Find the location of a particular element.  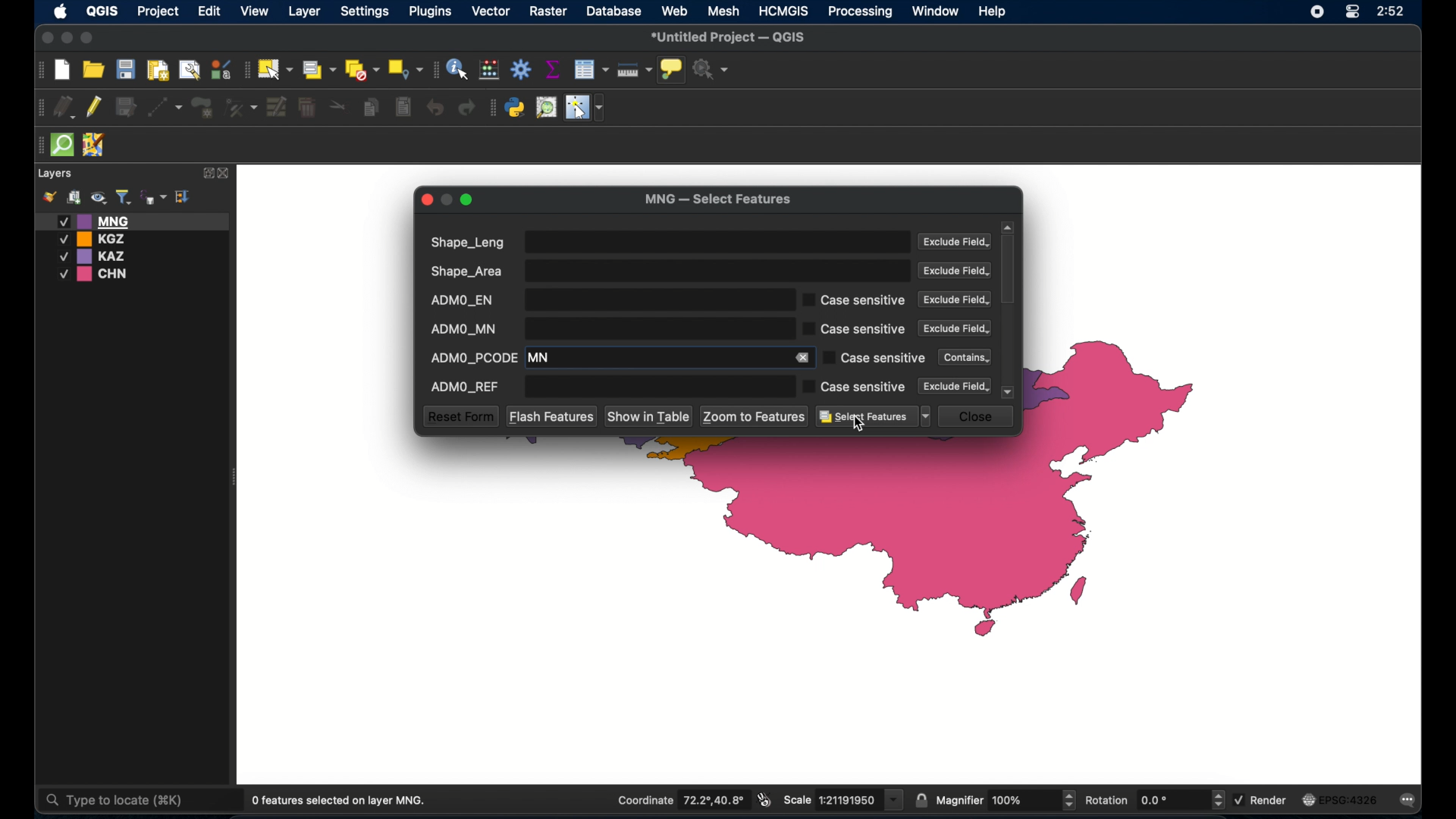

MN is located at coordinates (655, 357).